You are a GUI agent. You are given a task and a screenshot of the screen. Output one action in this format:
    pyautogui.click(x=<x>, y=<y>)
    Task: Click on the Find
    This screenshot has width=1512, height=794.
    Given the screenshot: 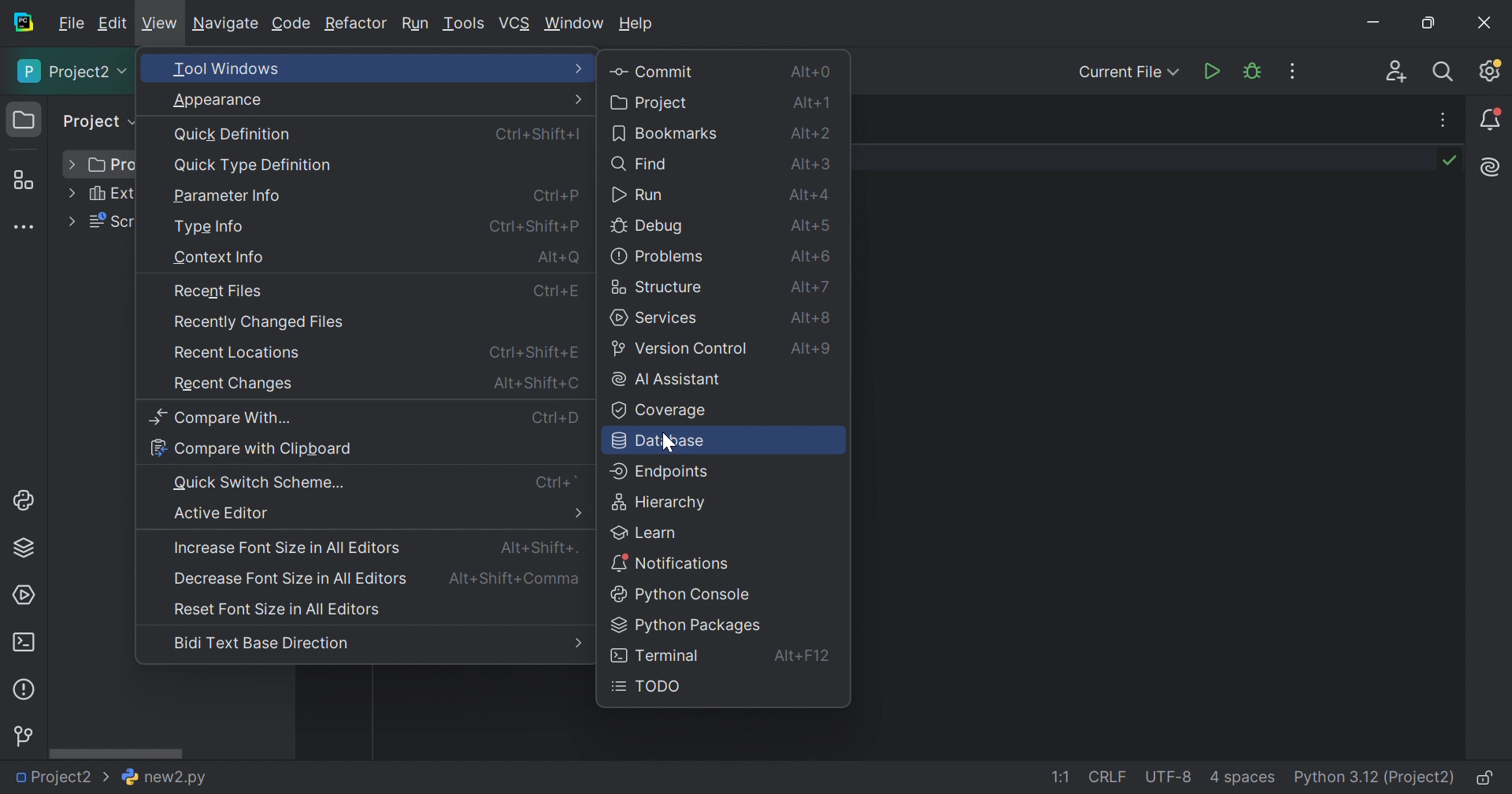 What is the action you would take?
    pyautogui.click(x=641, y=165)
    